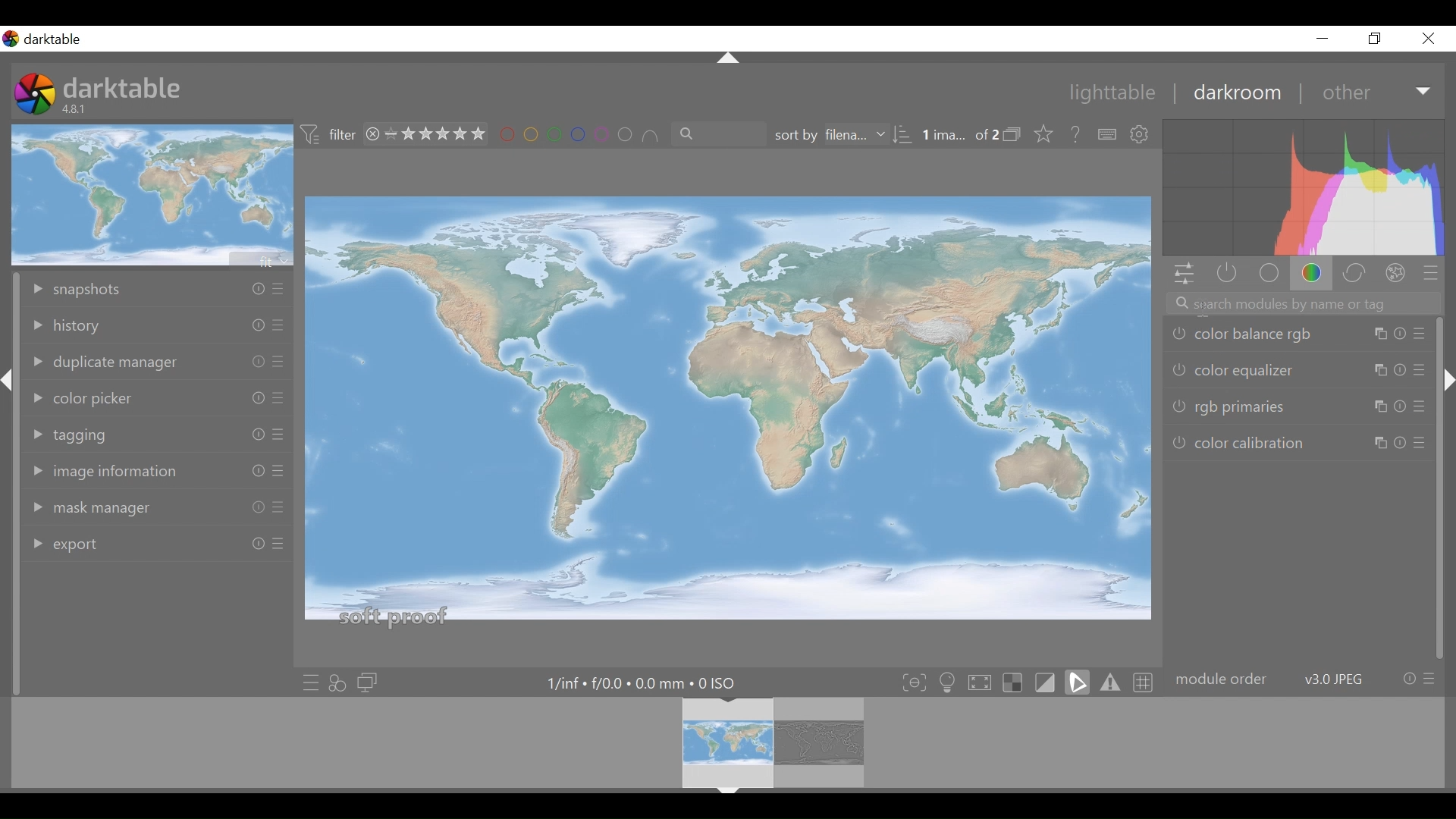 The height and width of the screenshot is (819, 1456). I want to click on toggle guide lines, so click(1144, 681).